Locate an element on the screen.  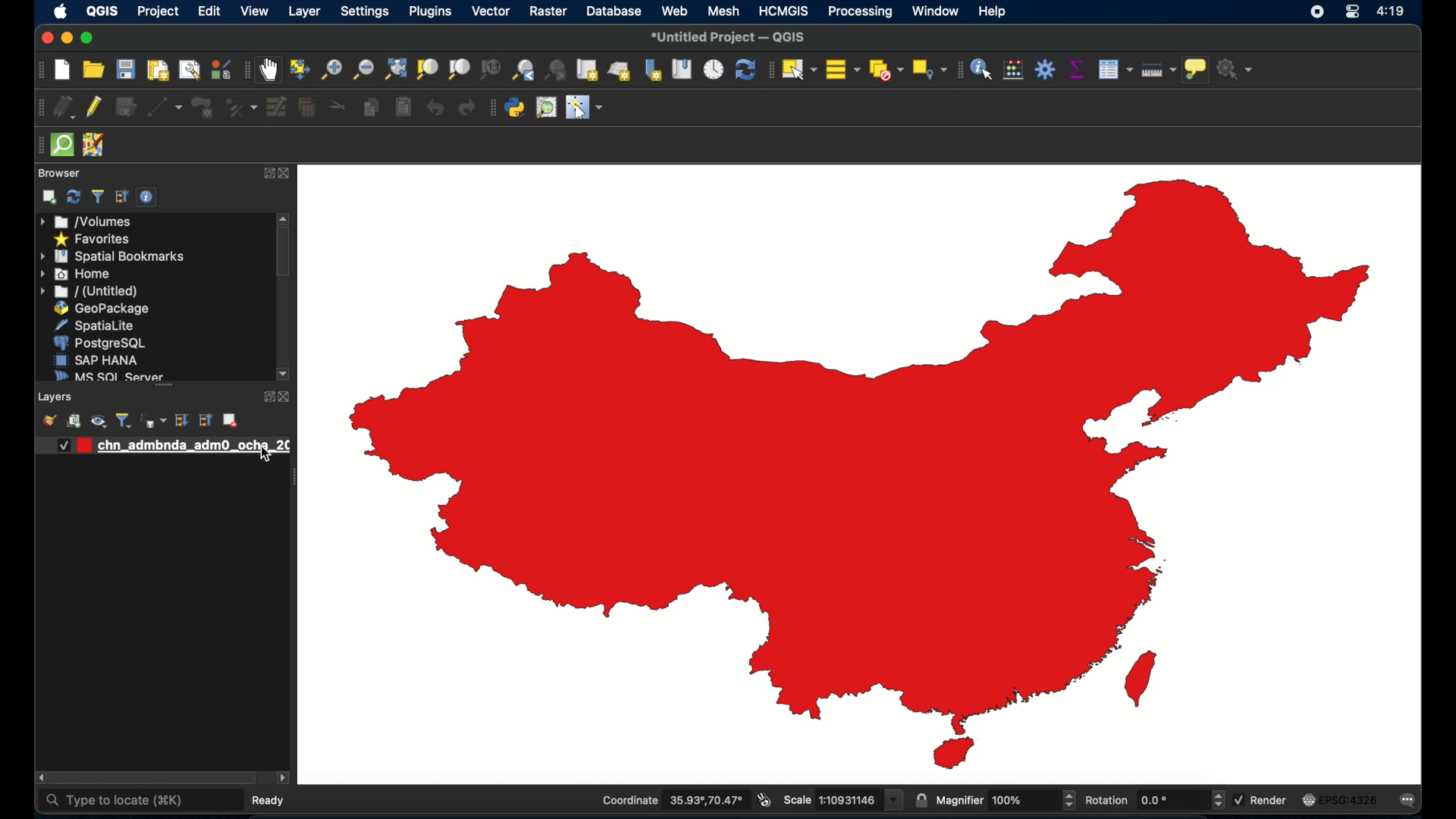
new map view is located at coordinates (588, 71).